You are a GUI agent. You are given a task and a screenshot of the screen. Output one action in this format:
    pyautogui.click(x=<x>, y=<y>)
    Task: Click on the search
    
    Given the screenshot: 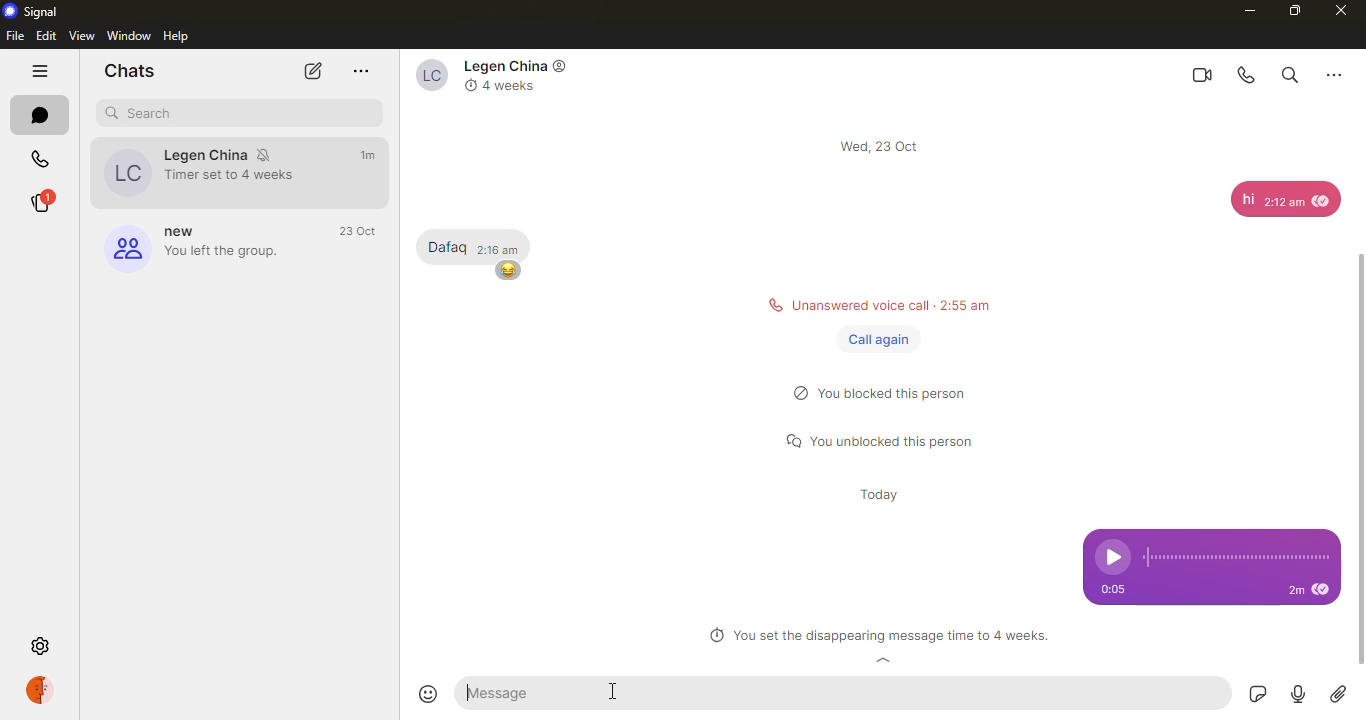 What is the action you would take?
    pyautogui.click(x=1288, y=73)
    